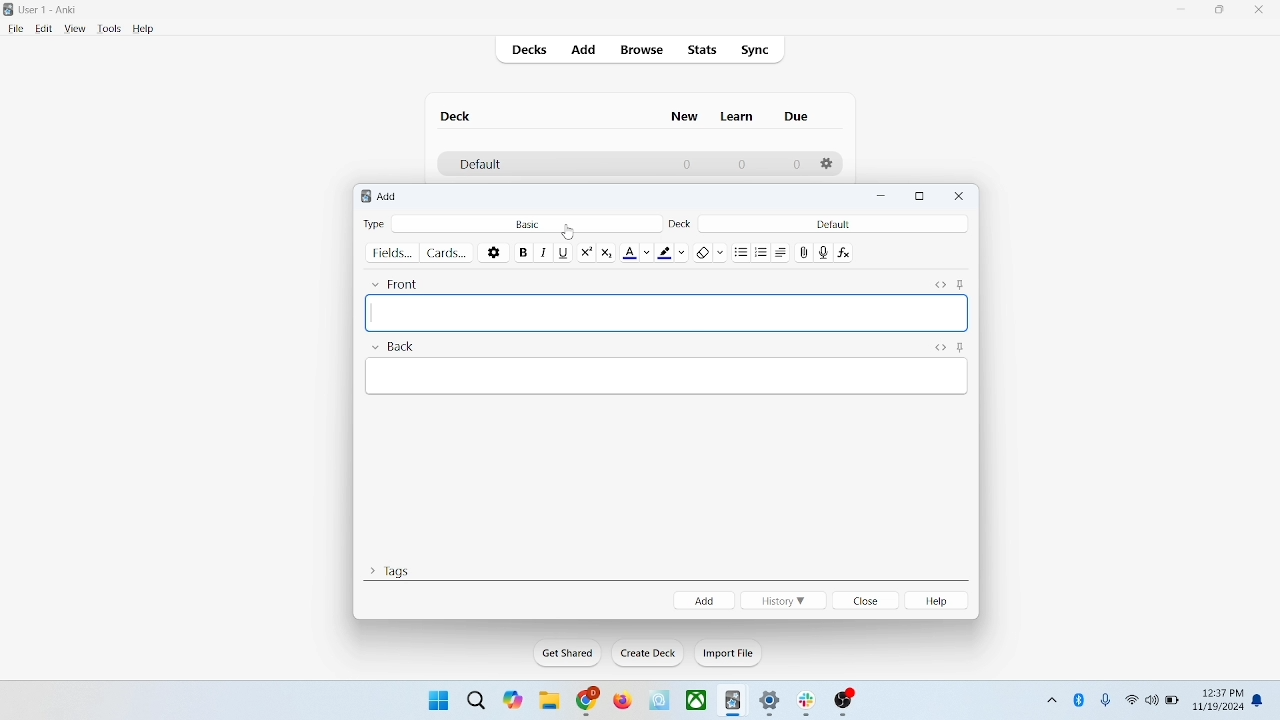 This screenshot has height=720, width=1280. I want to click on icon, so click(661, 701).